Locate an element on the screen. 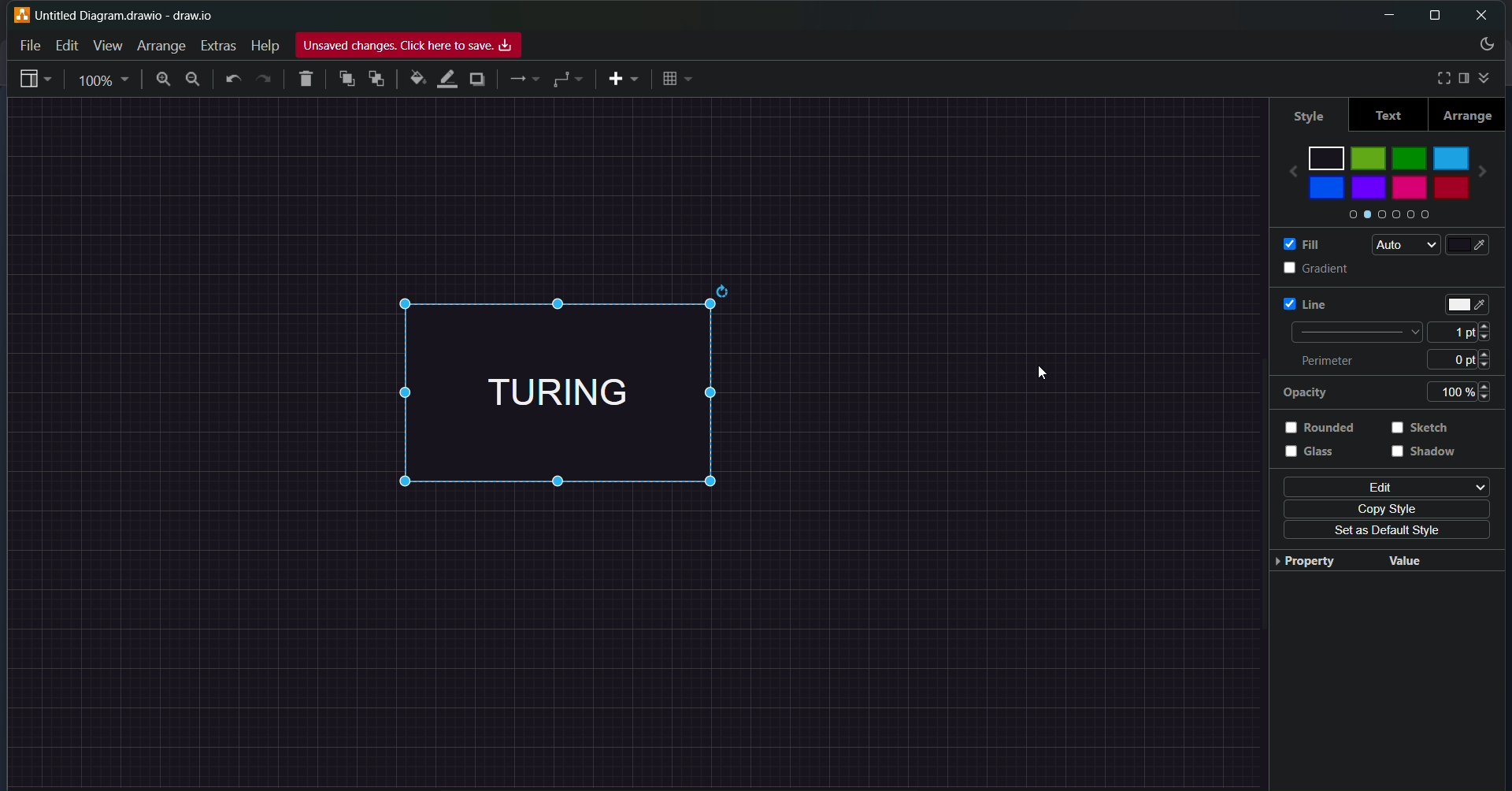 This screenshot has height=791, width=1512. zoom percentage is located at coordinates (106, 80).